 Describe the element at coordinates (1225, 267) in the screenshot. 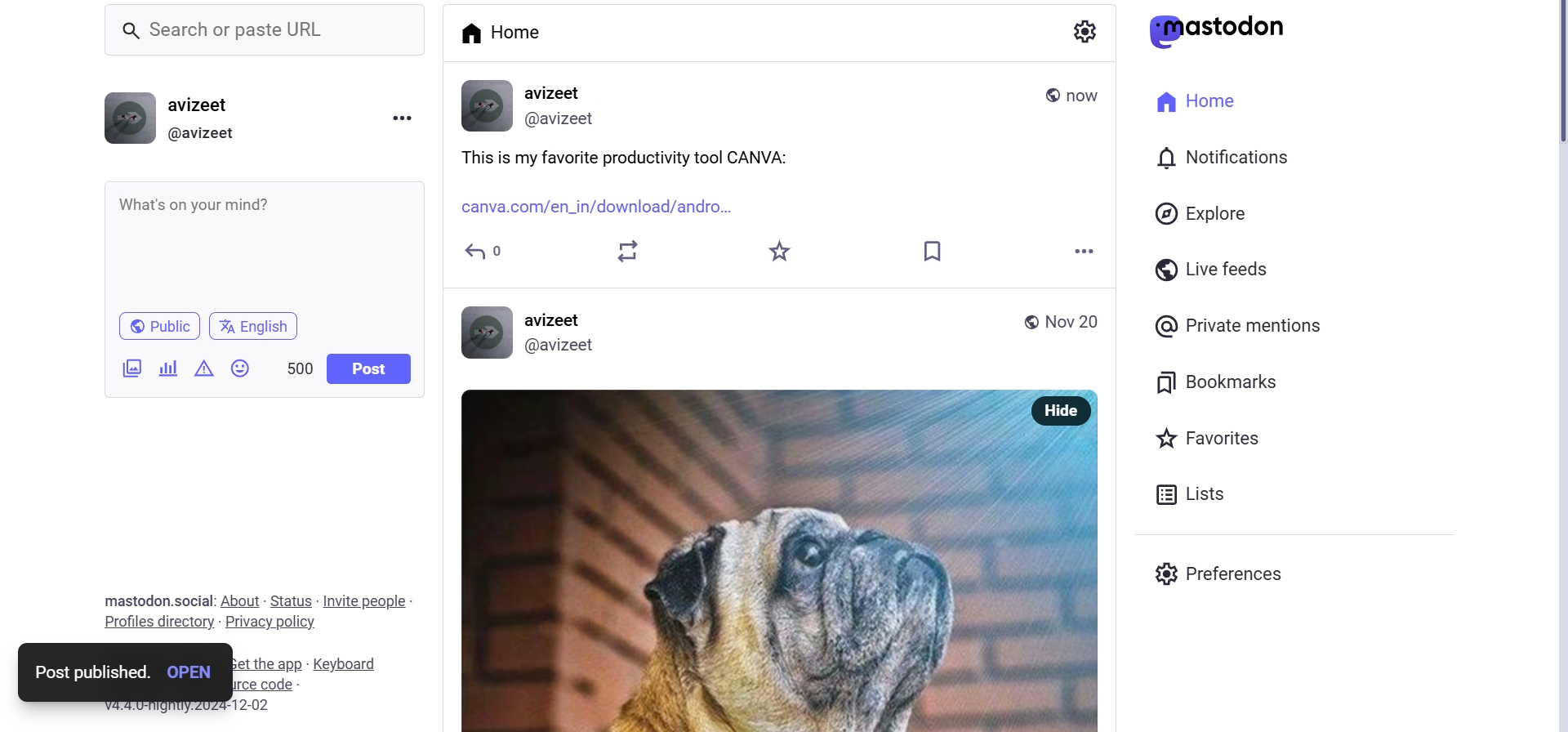

I see `live feeds` at that location.